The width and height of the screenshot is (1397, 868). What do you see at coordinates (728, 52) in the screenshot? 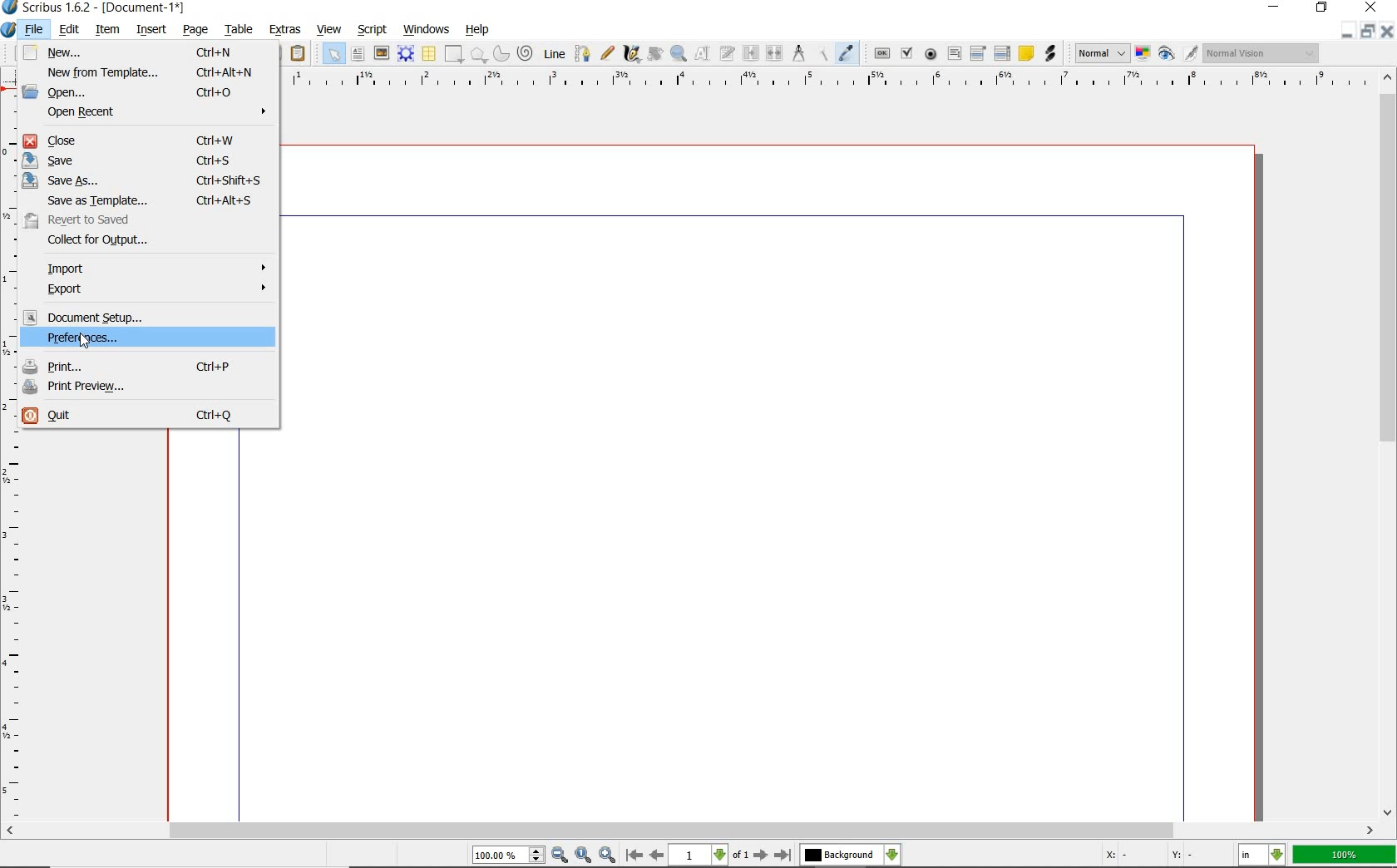
I see `edit text with story editor` at bounding box center [728, 52].